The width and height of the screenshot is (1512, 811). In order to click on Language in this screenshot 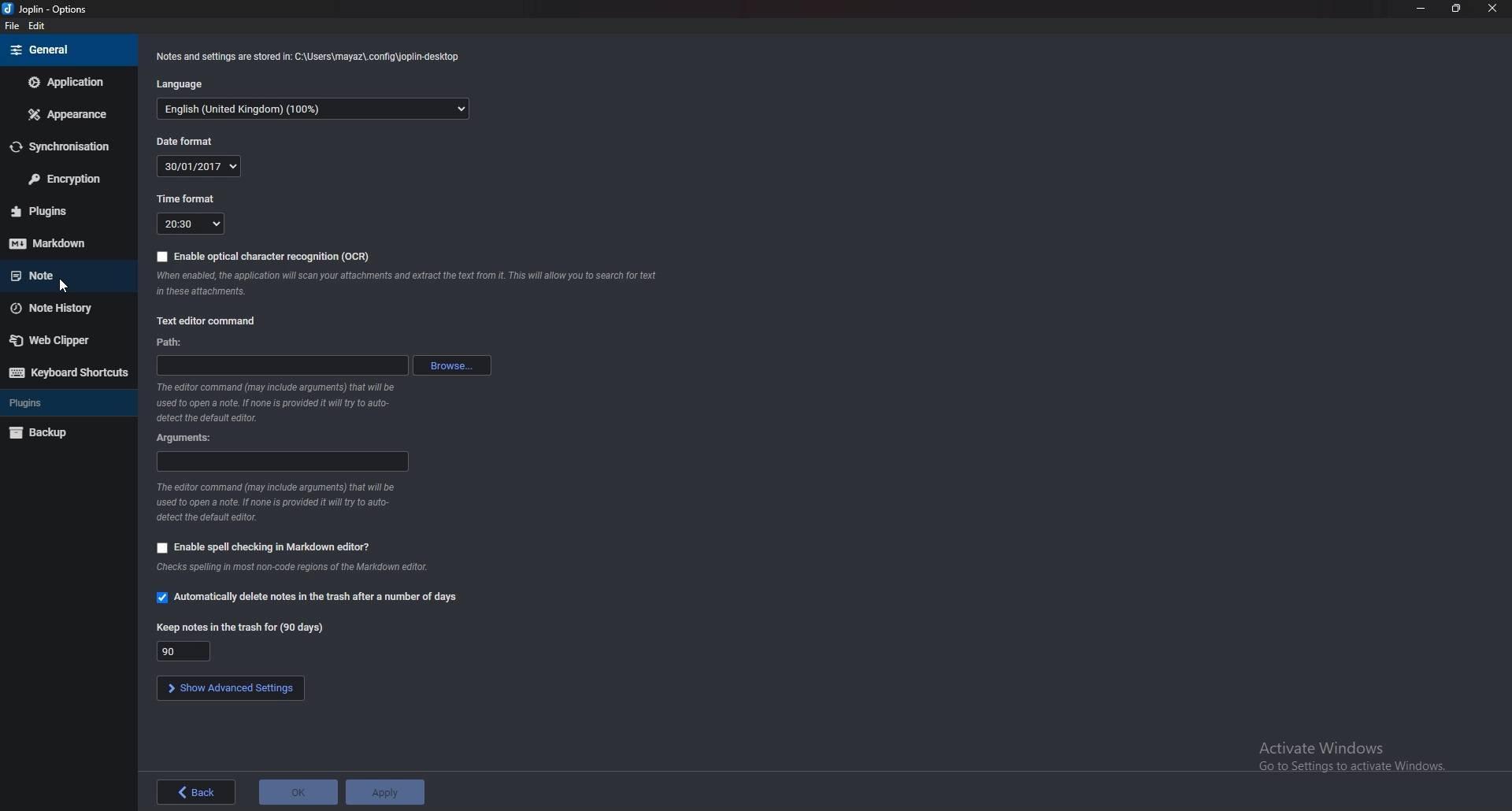, I will do `click(182, 83)`.